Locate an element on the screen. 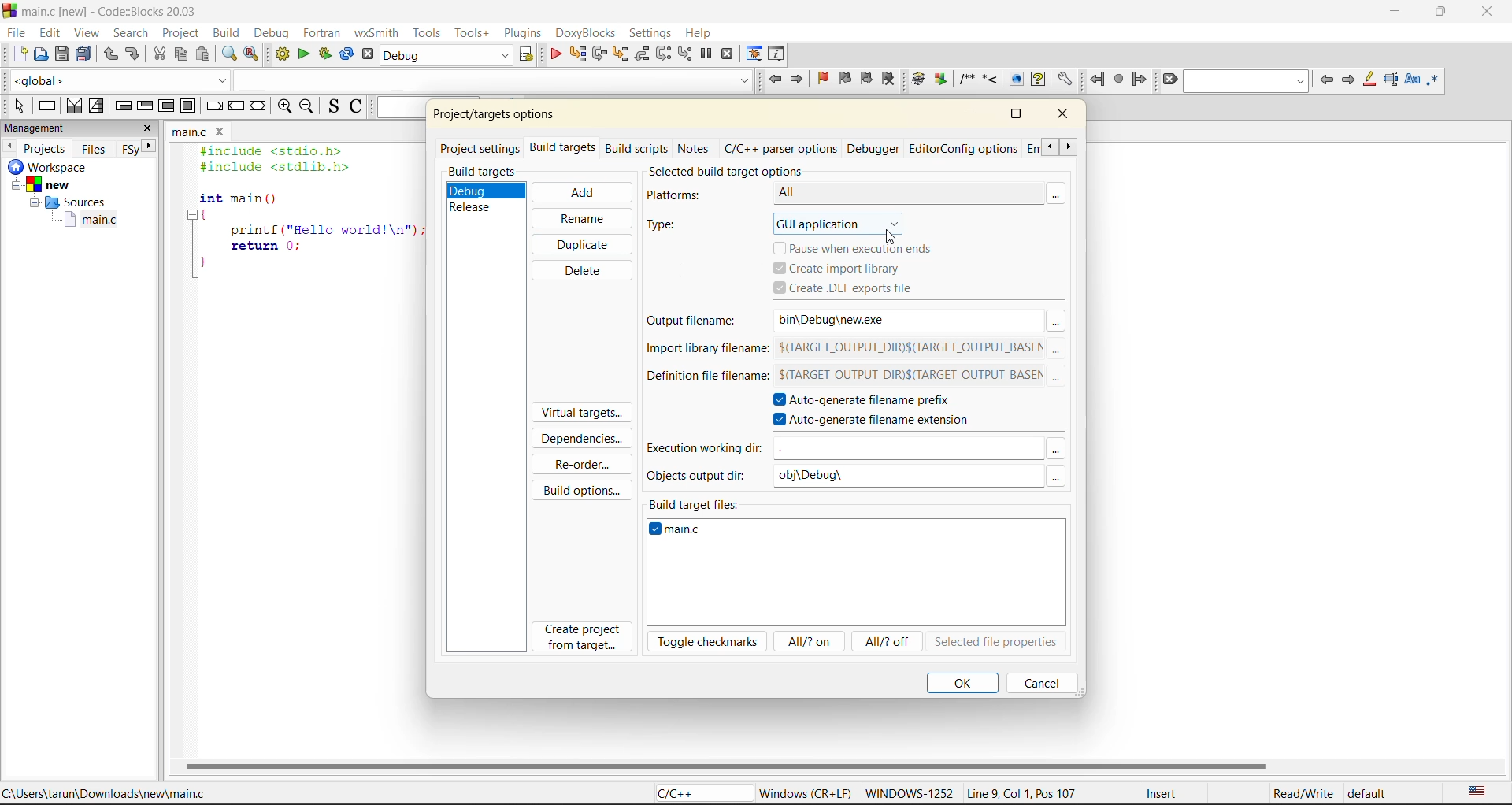 Image resolution: width=1512 pixels, height=805 pixels. selected text is located at coordinates (1393, 79).